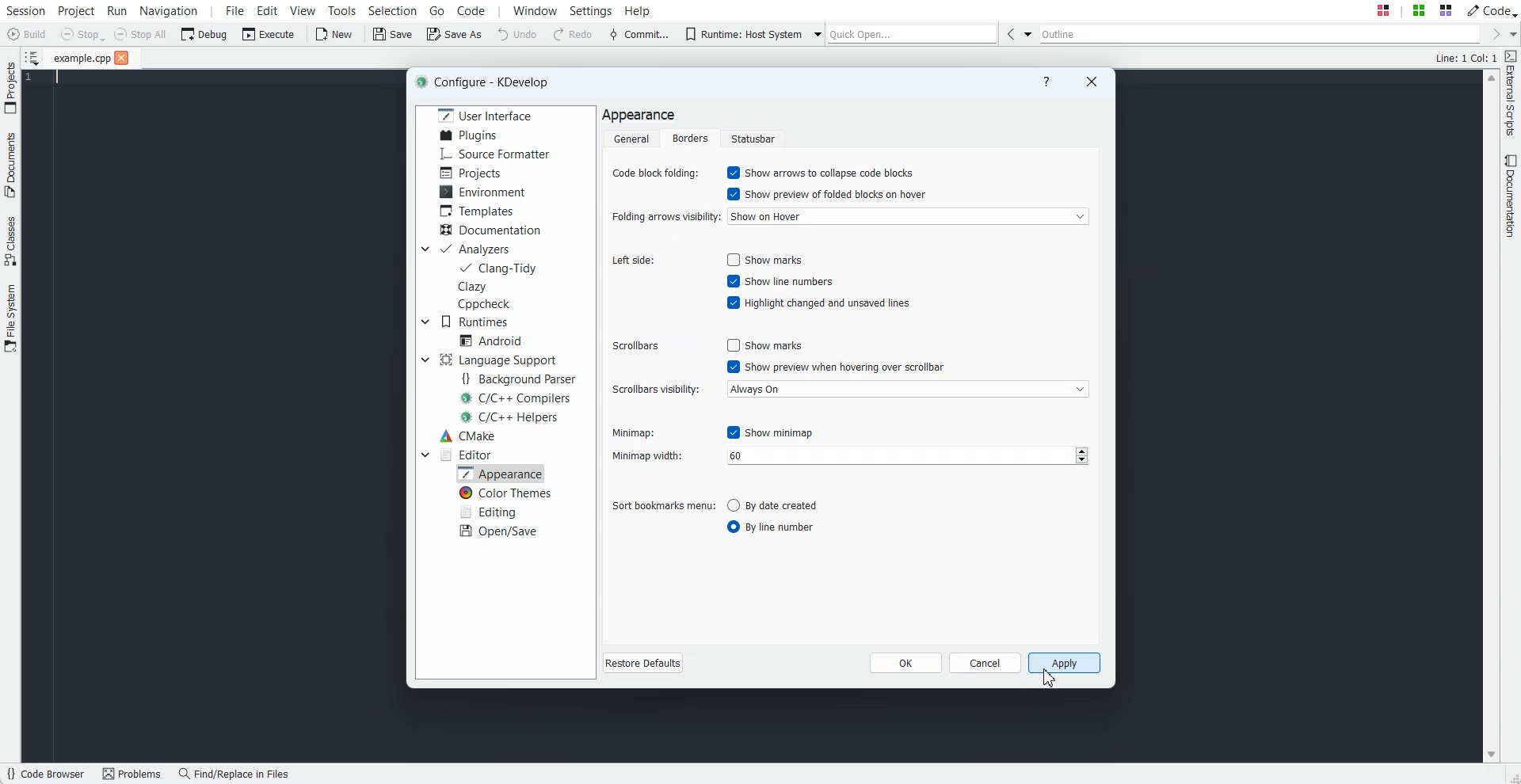  What do you see at coordinates (517, 398) in the screenshot?
I see `C/C++ Compilers` at bounding box center [517, 398].